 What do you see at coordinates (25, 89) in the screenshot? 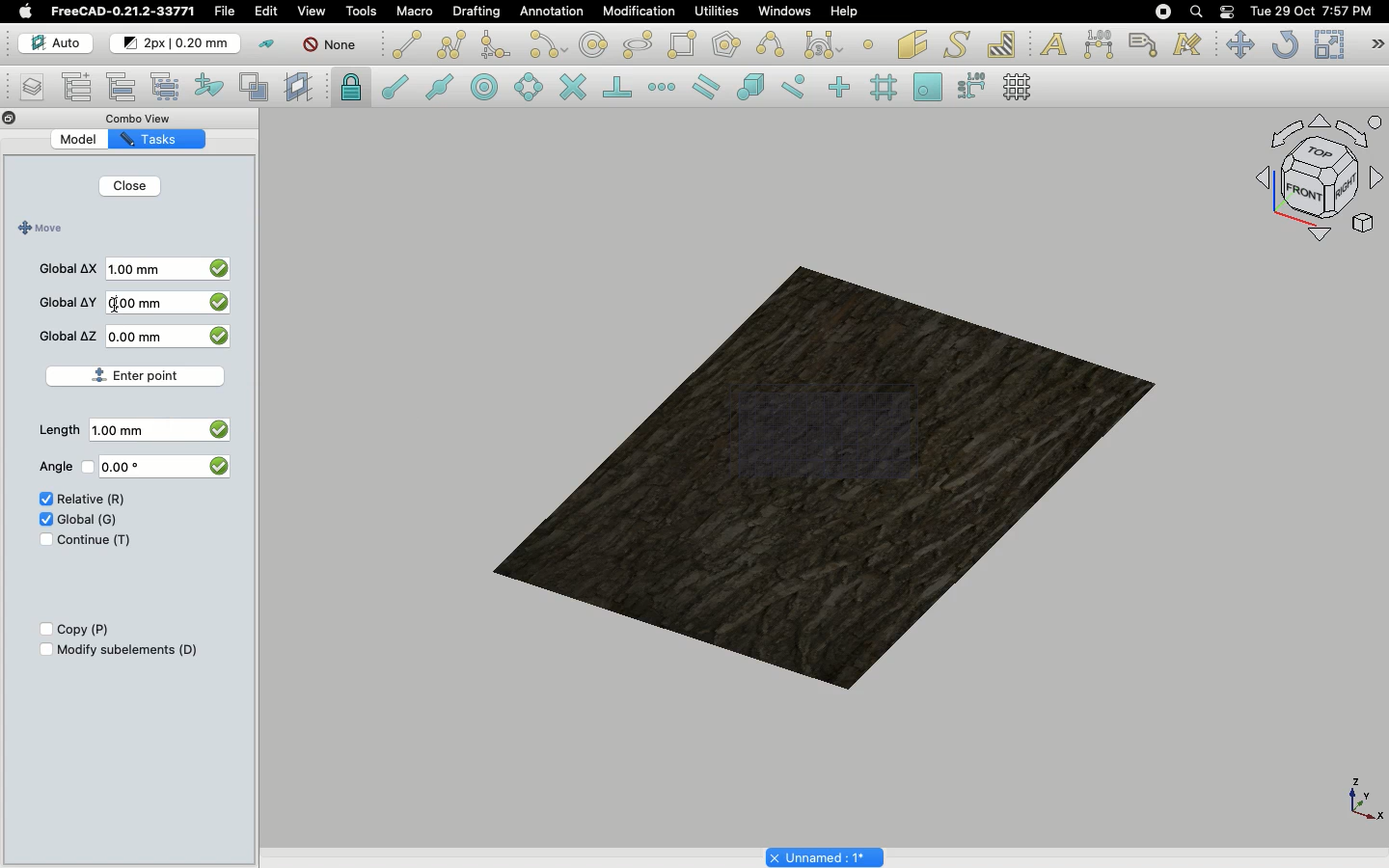
I see `Manage layers` at bounding box center [25, 89].